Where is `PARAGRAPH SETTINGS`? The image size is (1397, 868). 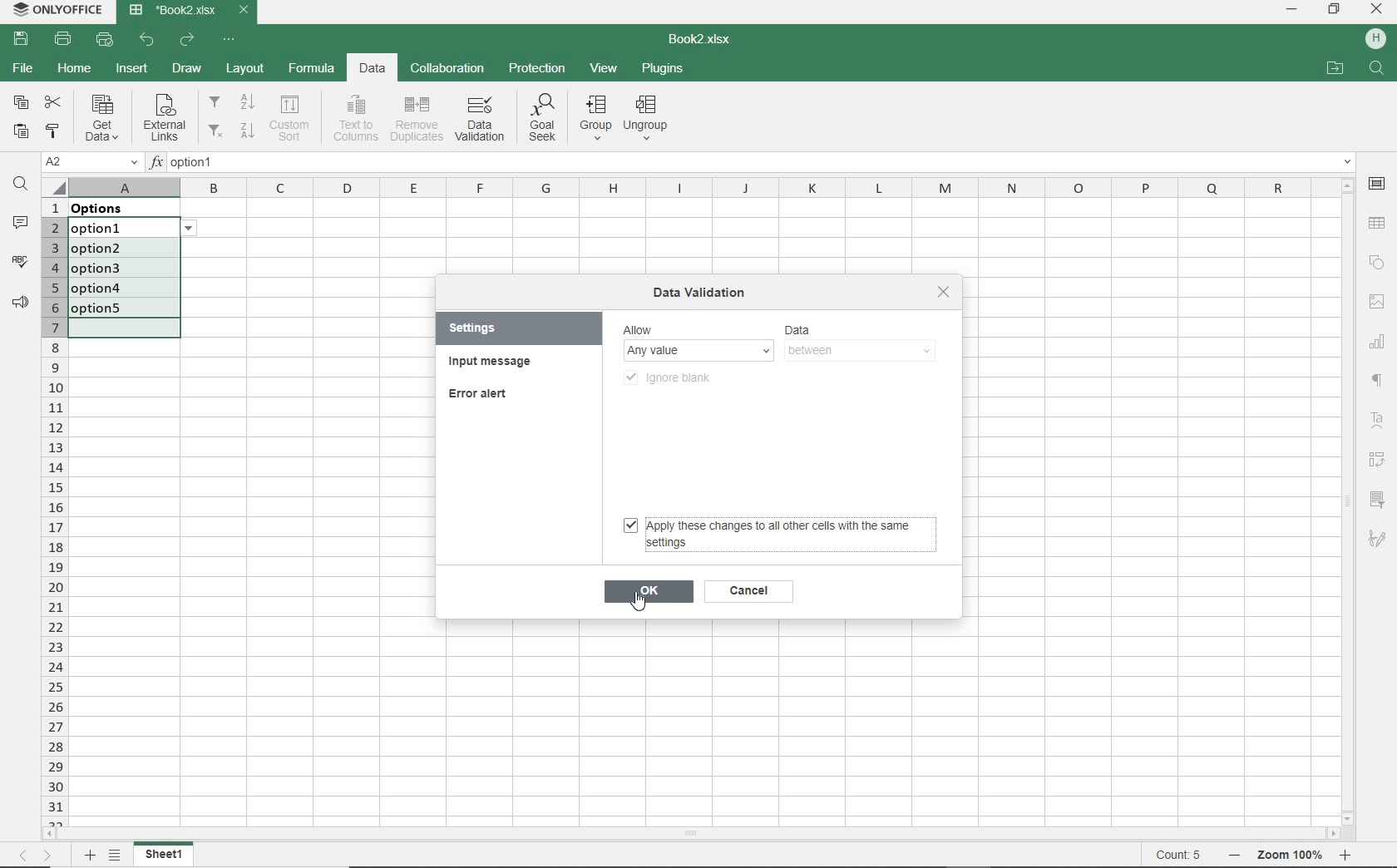 PARAGRAPH SETTINGS is located at coordinates (17, 303).